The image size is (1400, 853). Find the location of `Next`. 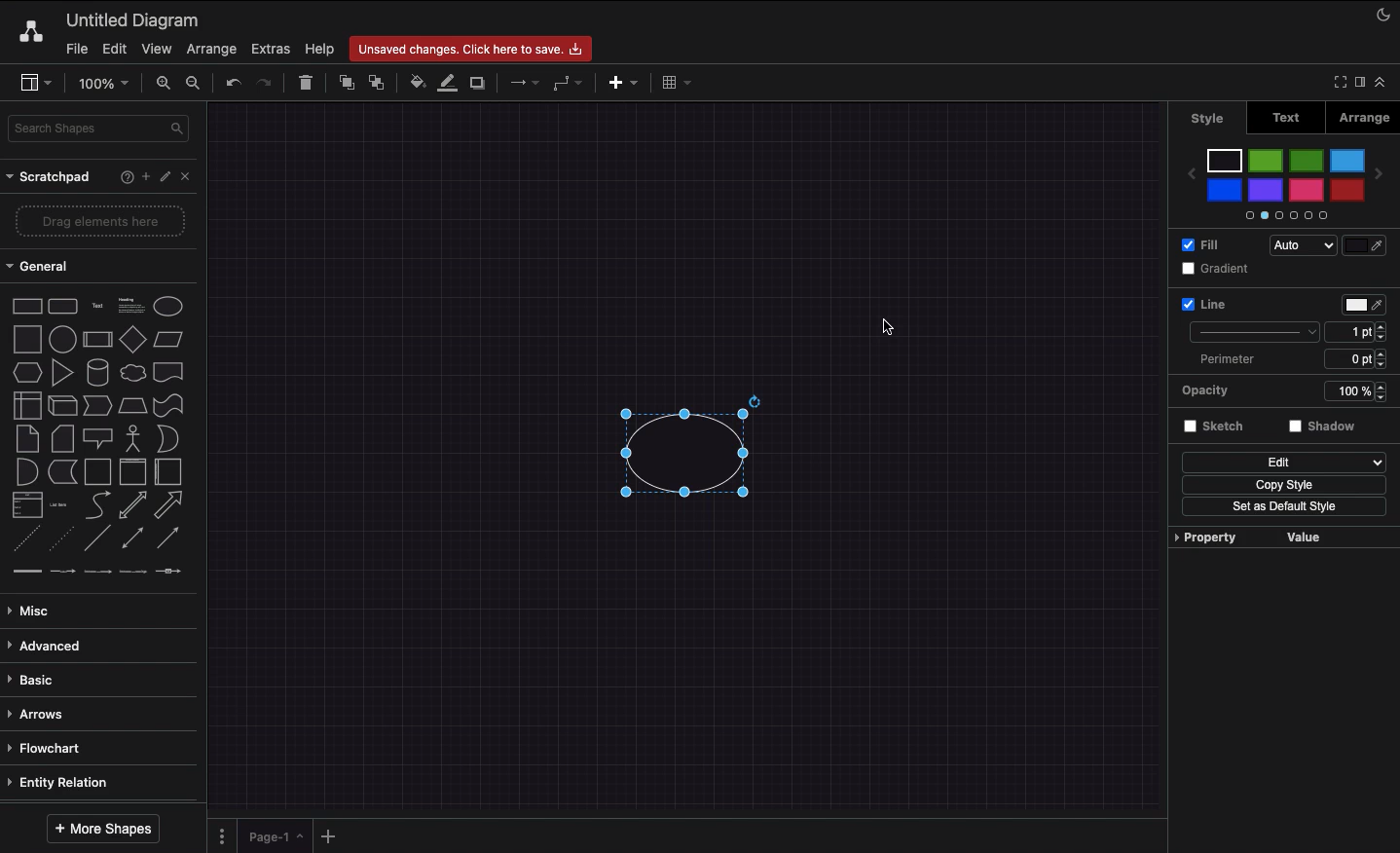

Next is located at coordinates (1385, 170).